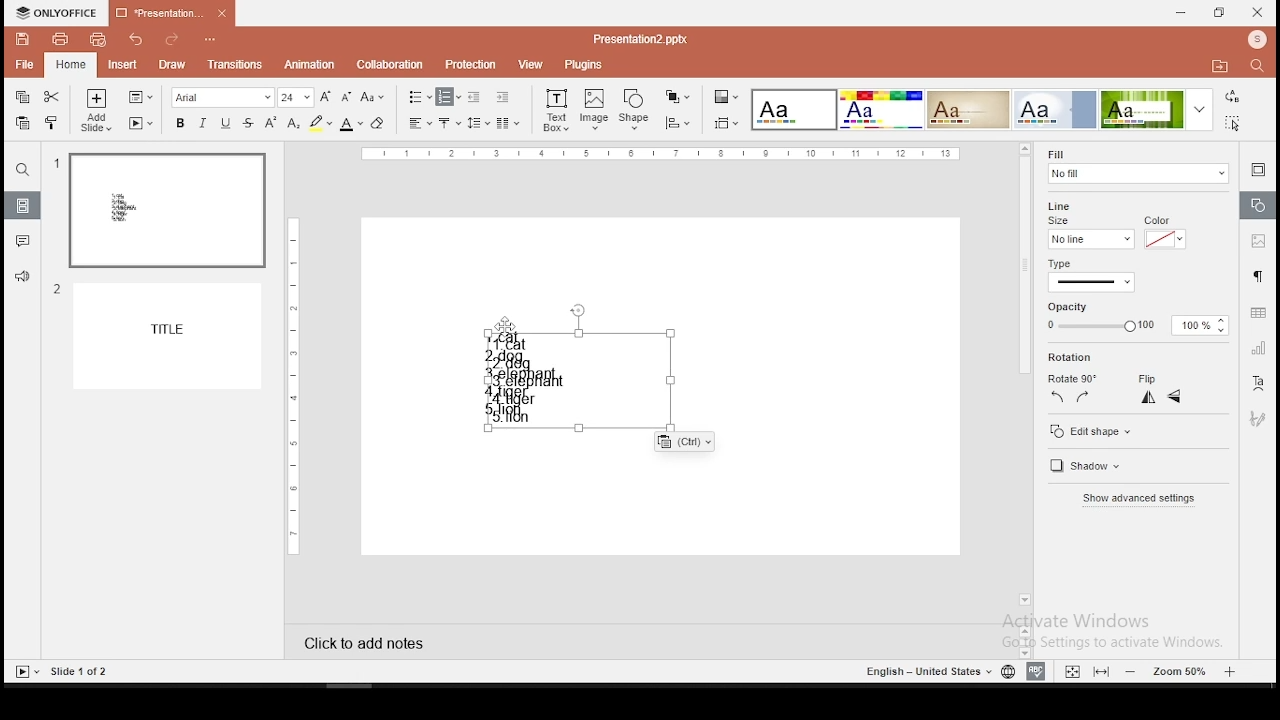 This screenshot has height=720, width=1280. Describe the element at coordinates (1072, 357) in the screenshot. I see `rotation` at that location.